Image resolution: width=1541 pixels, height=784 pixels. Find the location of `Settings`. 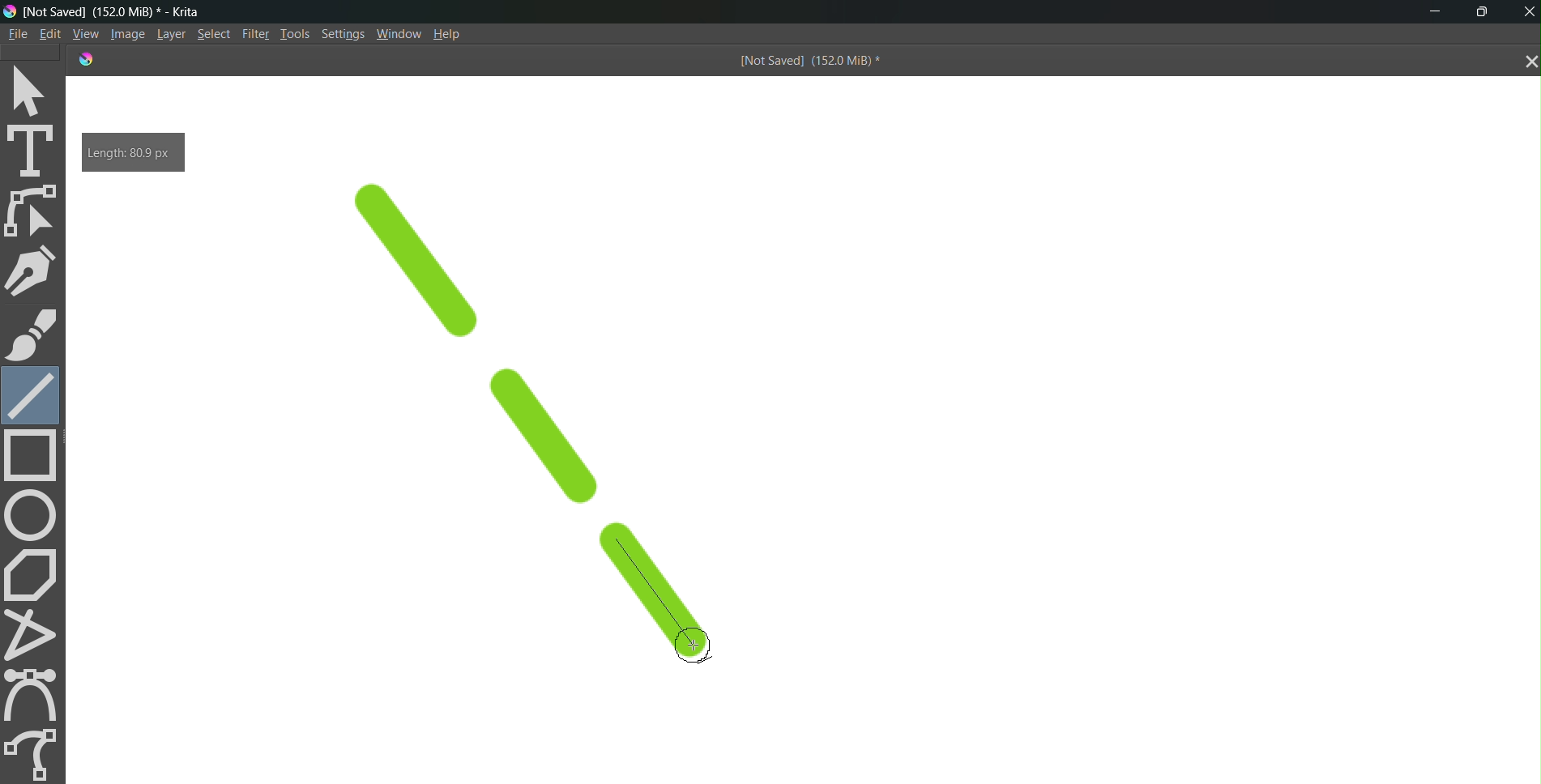

Settings is located at coordinates (344, 36).